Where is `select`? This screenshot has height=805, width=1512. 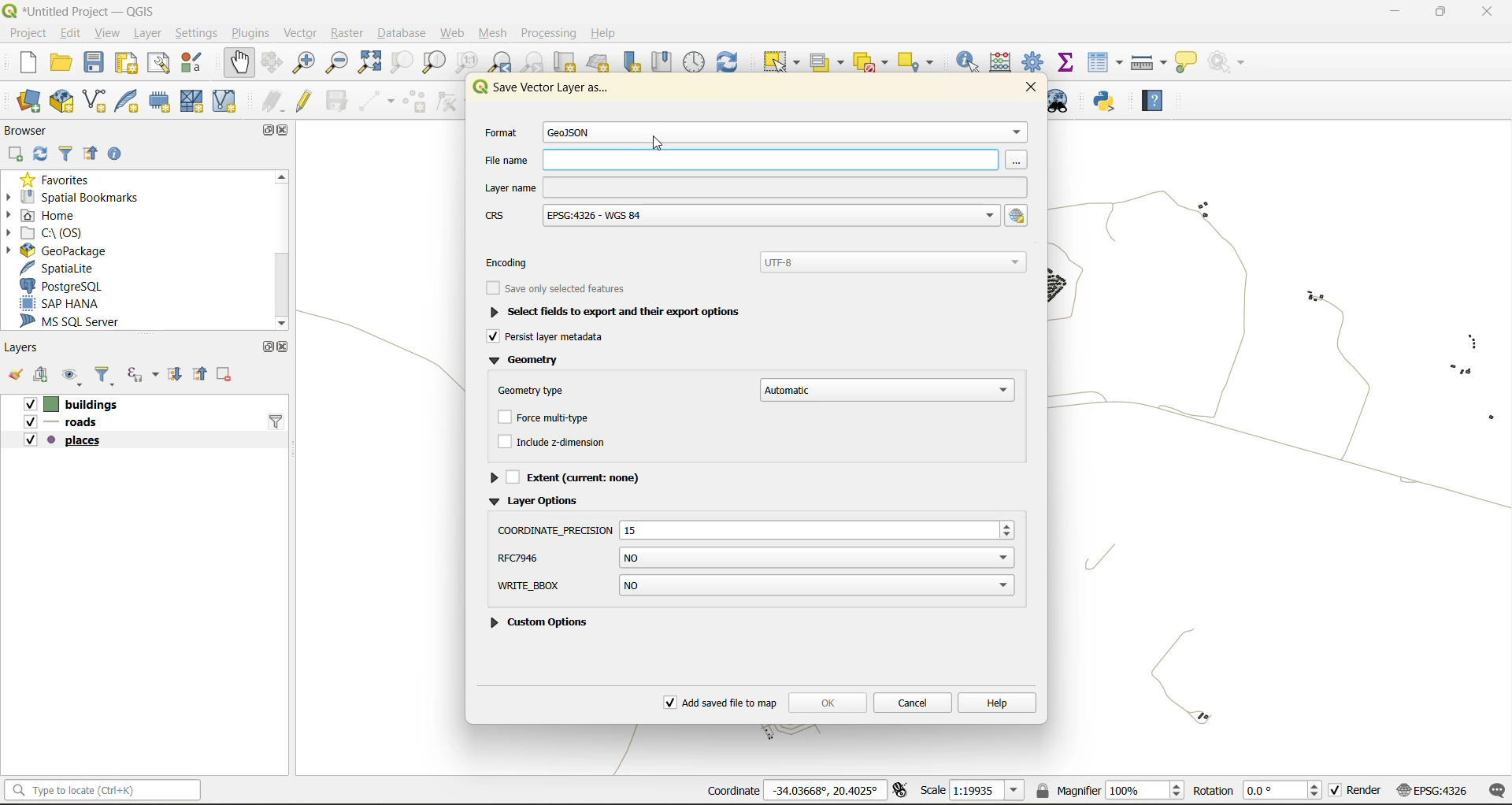 select is located at coordinates (784, 62).